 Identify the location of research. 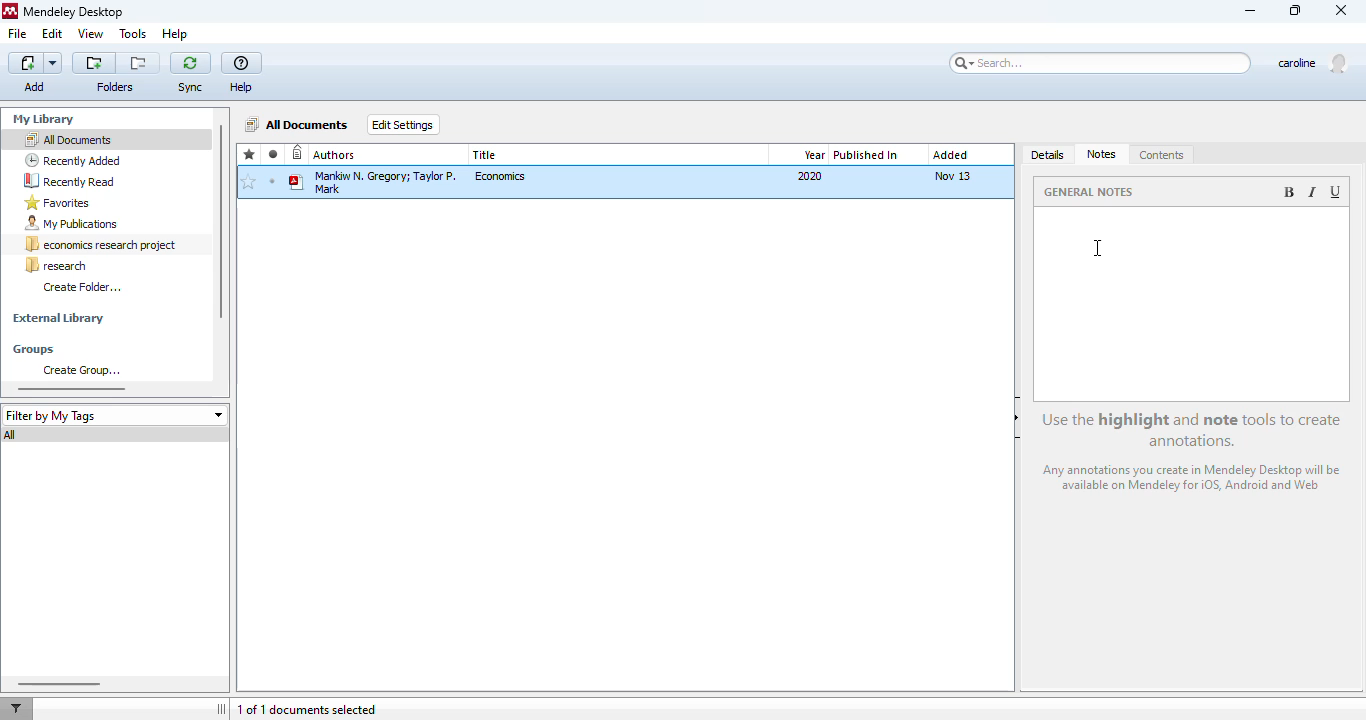
(56, 265).